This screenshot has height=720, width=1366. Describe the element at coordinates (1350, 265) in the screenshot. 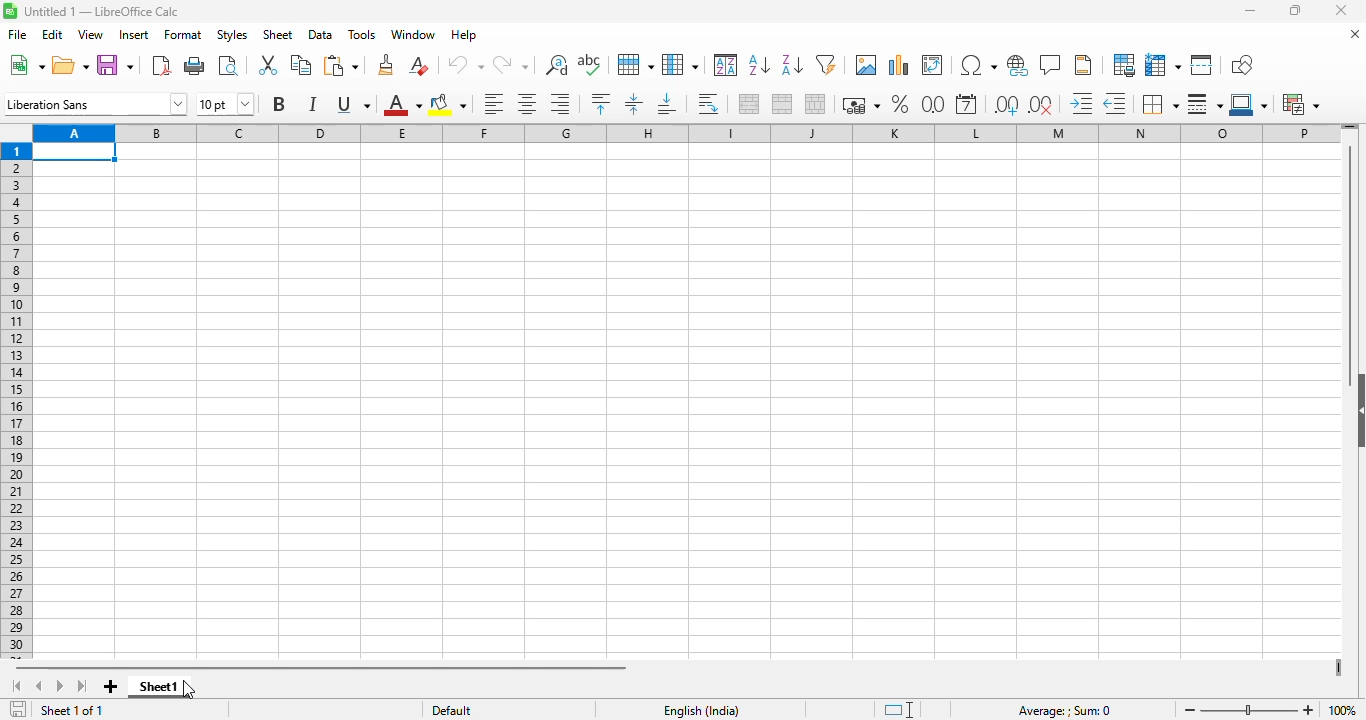

I see `vertical scroll bar` at that location.